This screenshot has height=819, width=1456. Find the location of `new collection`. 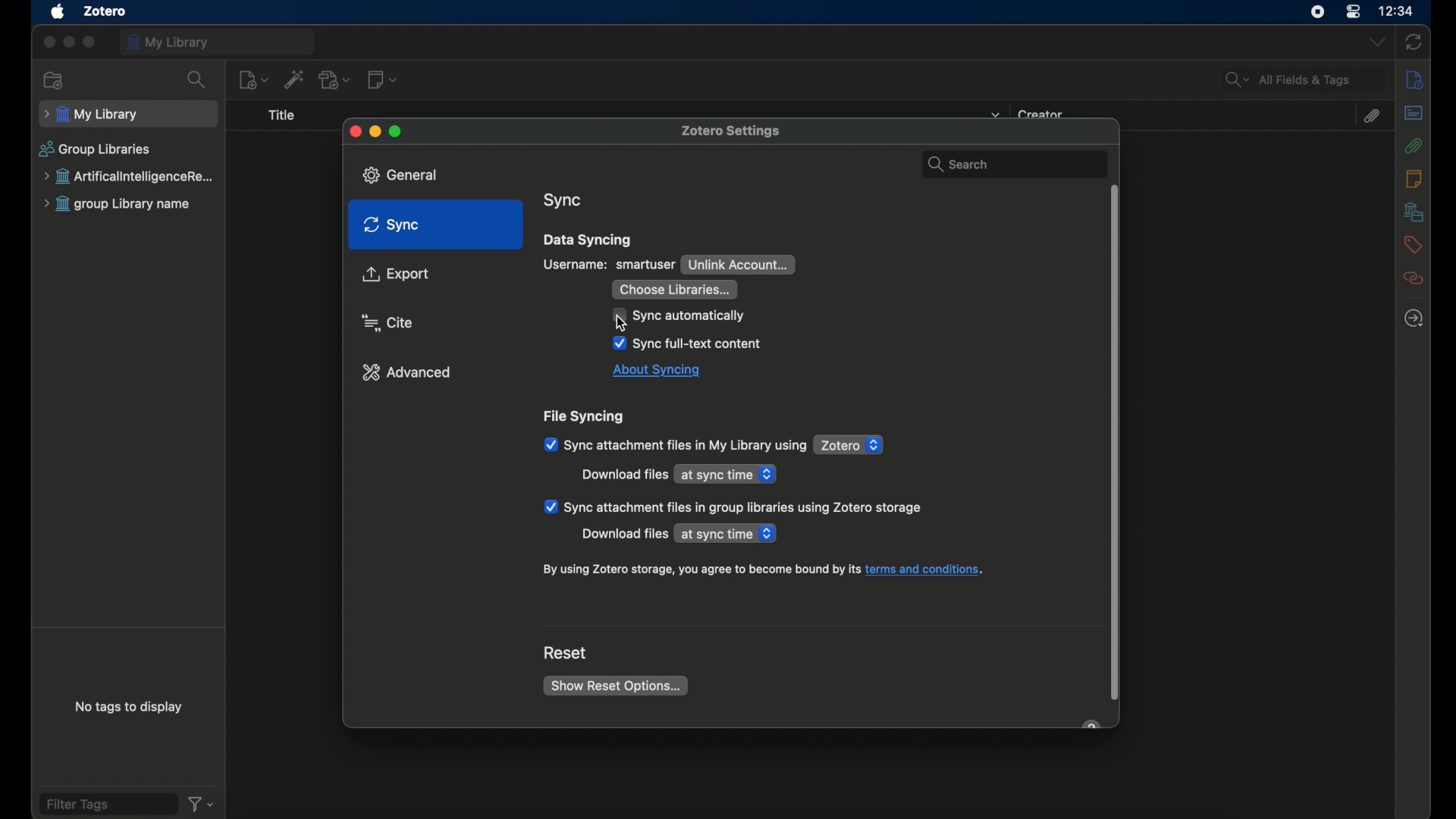

new collection is located at coordinates (54, 80).